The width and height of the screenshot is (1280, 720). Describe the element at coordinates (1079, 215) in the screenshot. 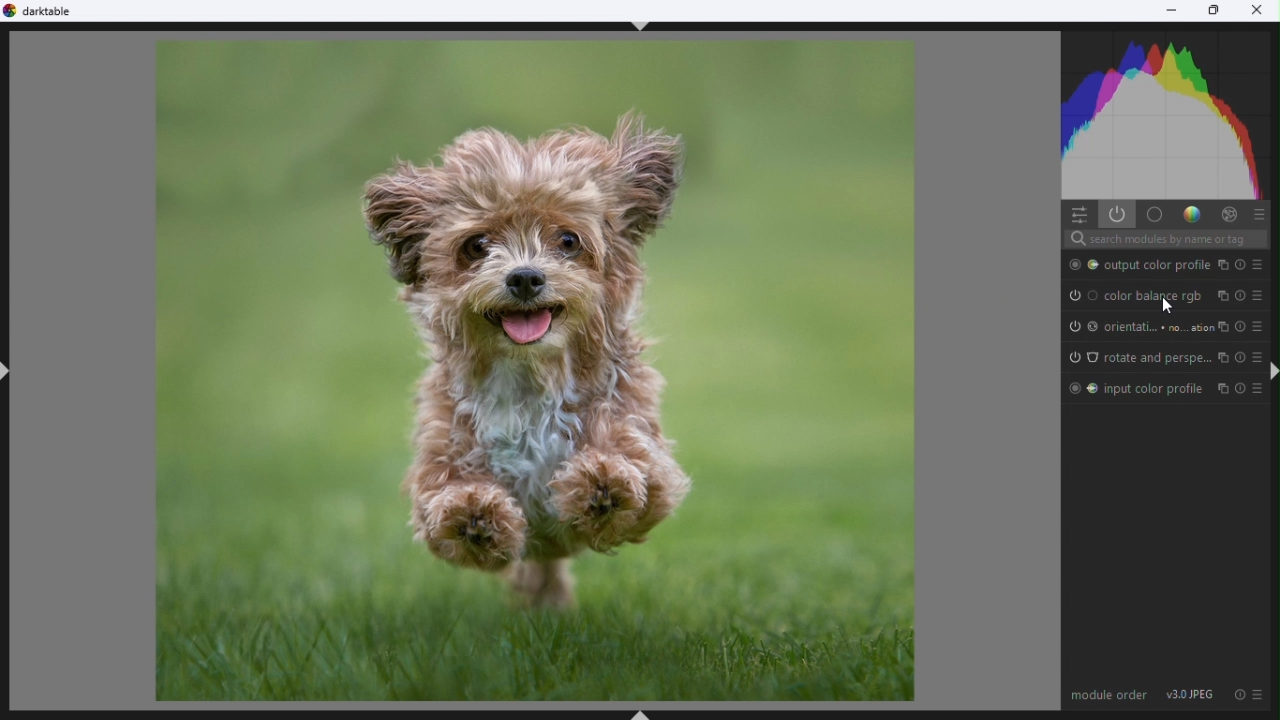

I see `quick settings` at that location.